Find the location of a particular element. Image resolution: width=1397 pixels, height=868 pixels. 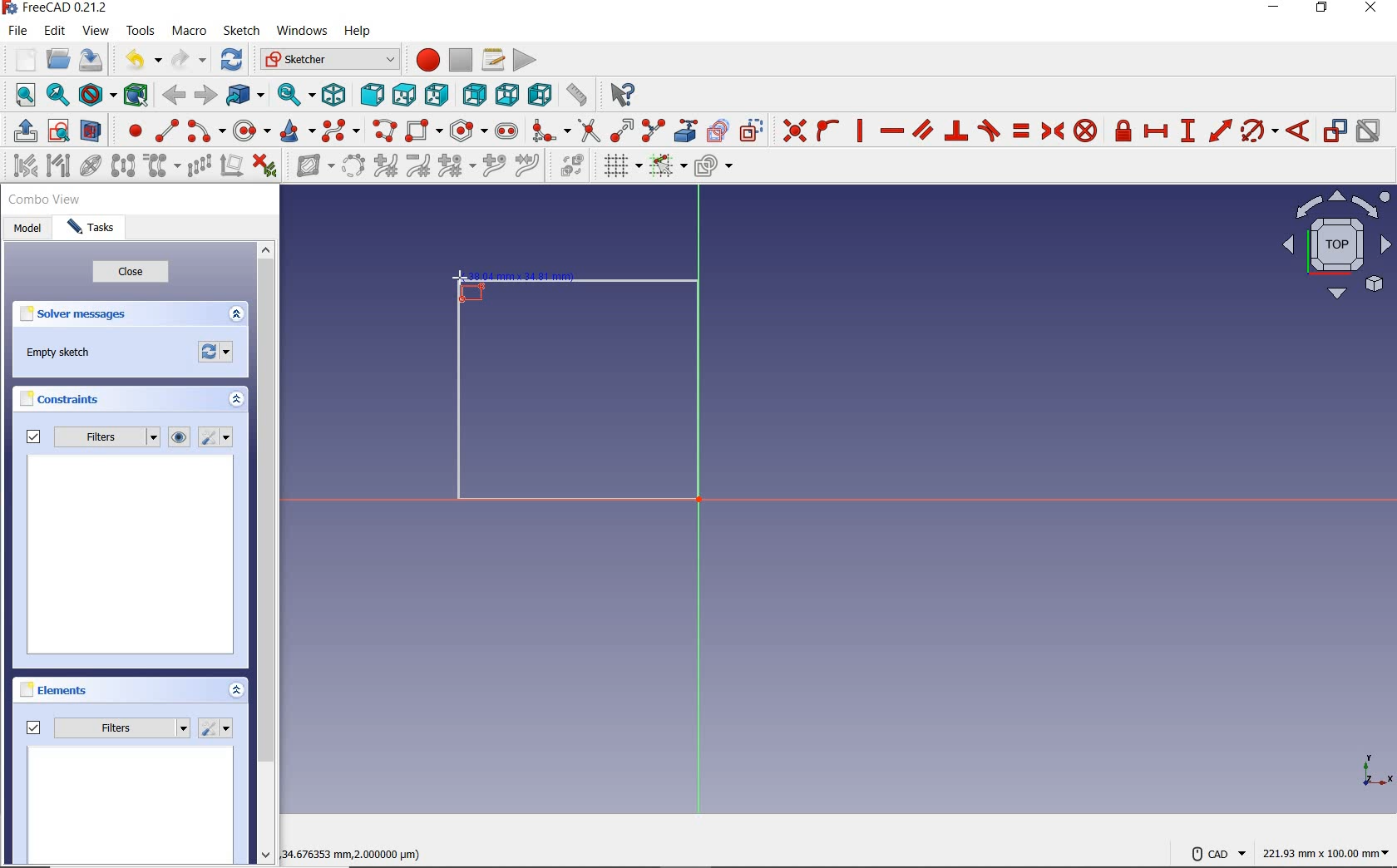

close is located at coordinates (1375, 9).